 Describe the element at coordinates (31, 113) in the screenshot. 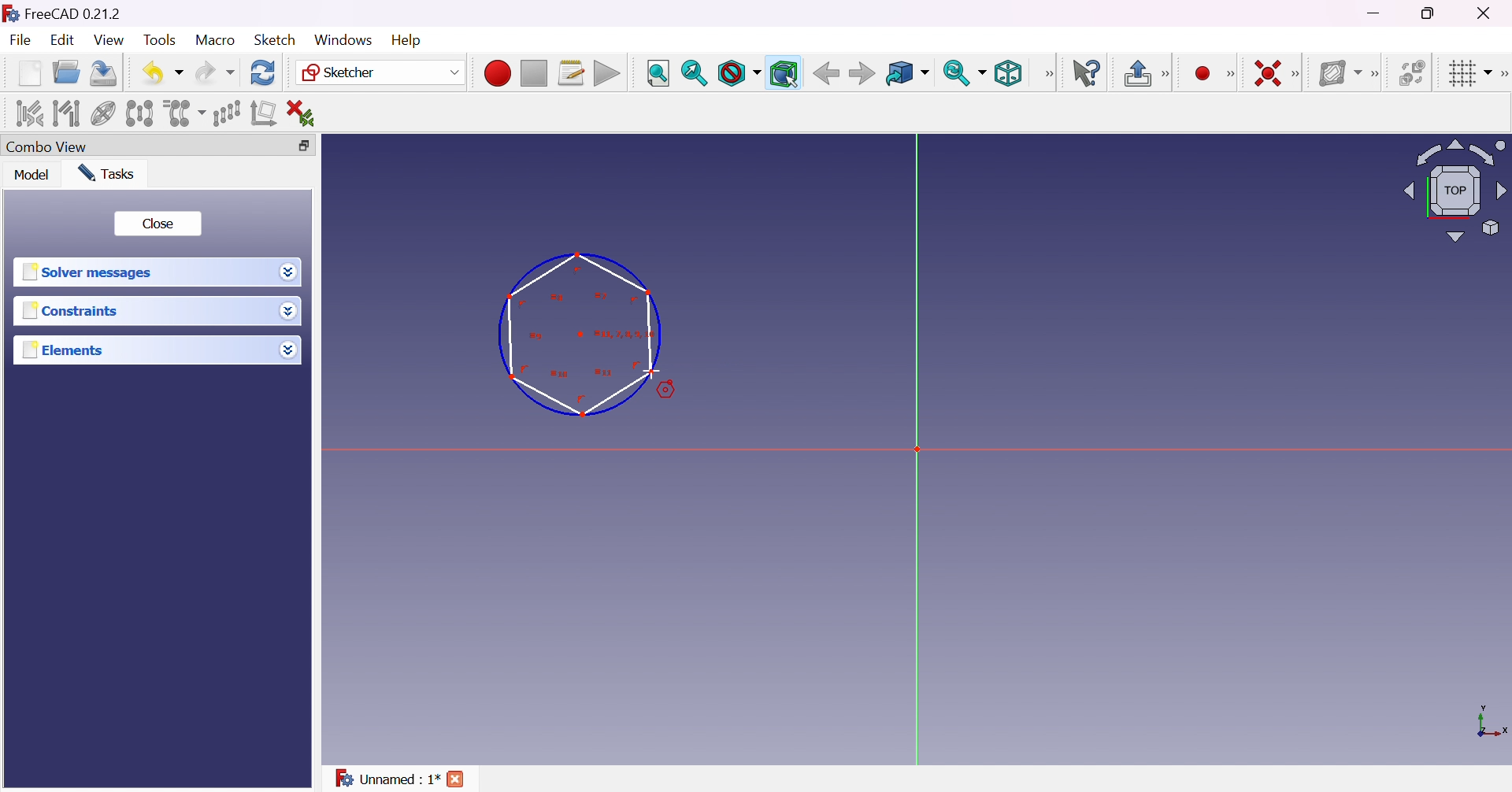

I see `Select associated constraints` at that location.